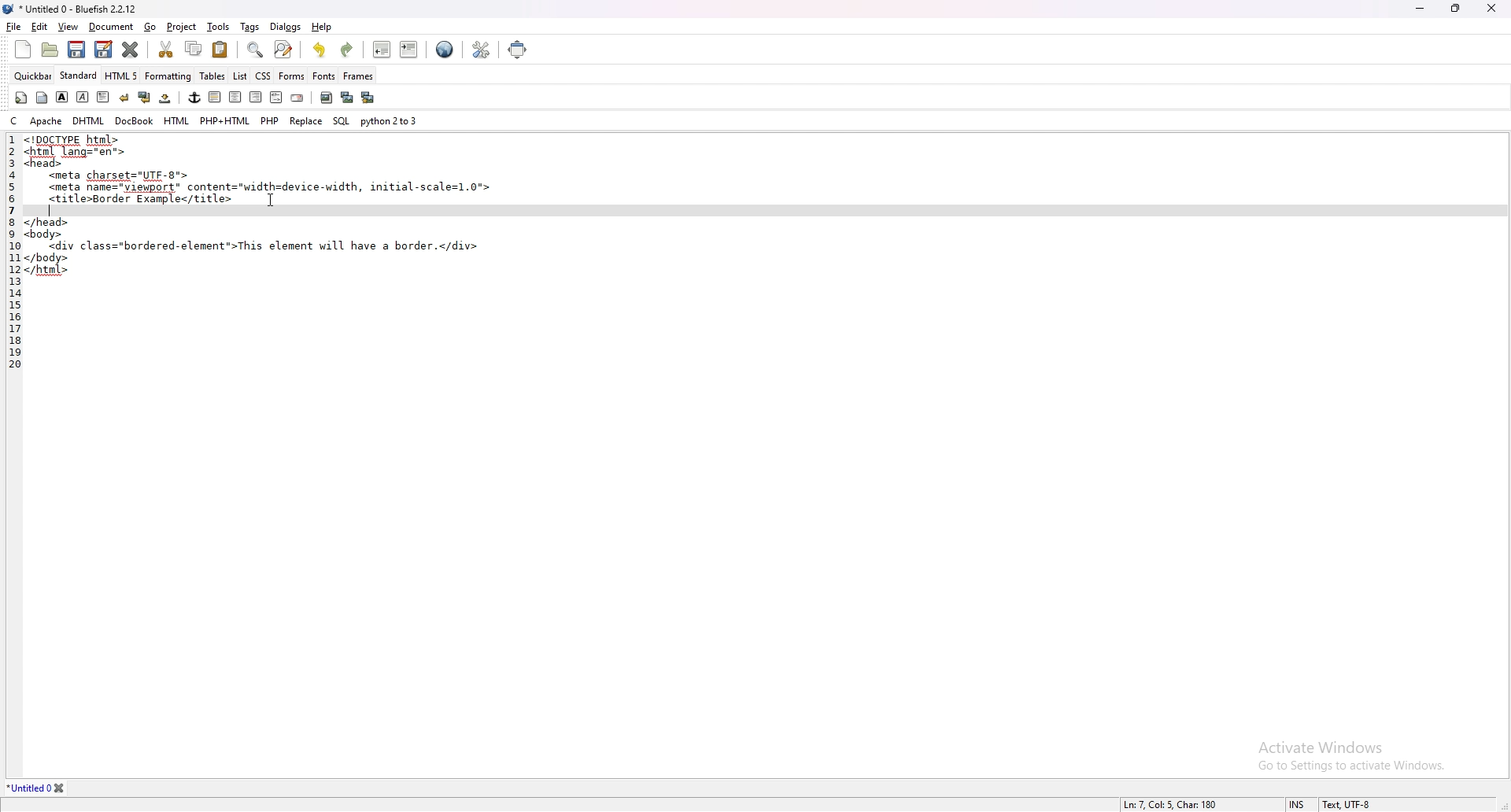 Image resolution: width=1511 pixels, height=812 pixels. I want to click on redo, so click(345, 50).